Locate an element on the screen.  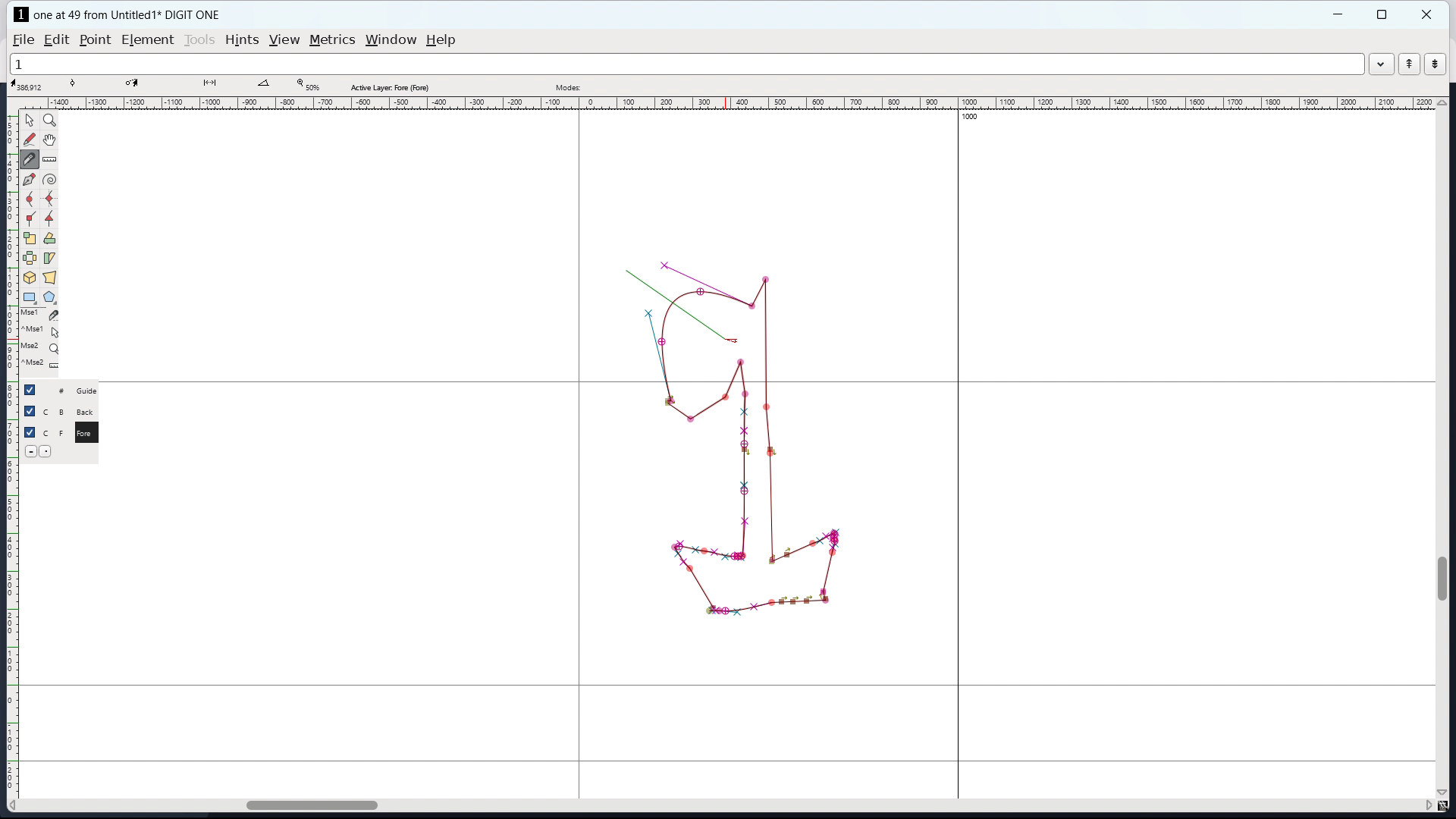
vertical scrollbar is located at coordinates (1445, 578).